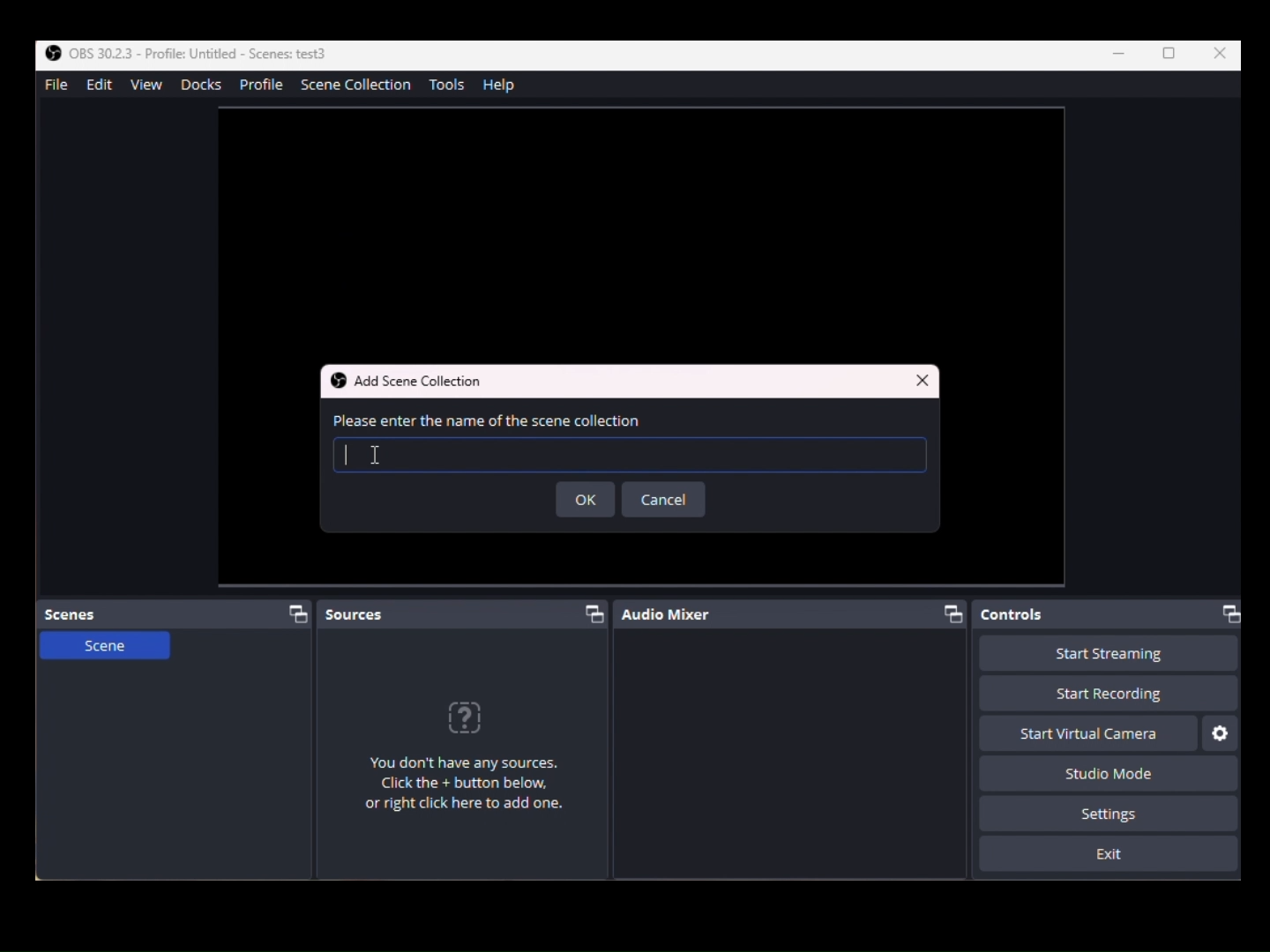 This screenshot has width=1270, height=952. Describe the element at coordinates (632, 423) in the screenshot. I see `Enter the name of the scene collection` at that location.